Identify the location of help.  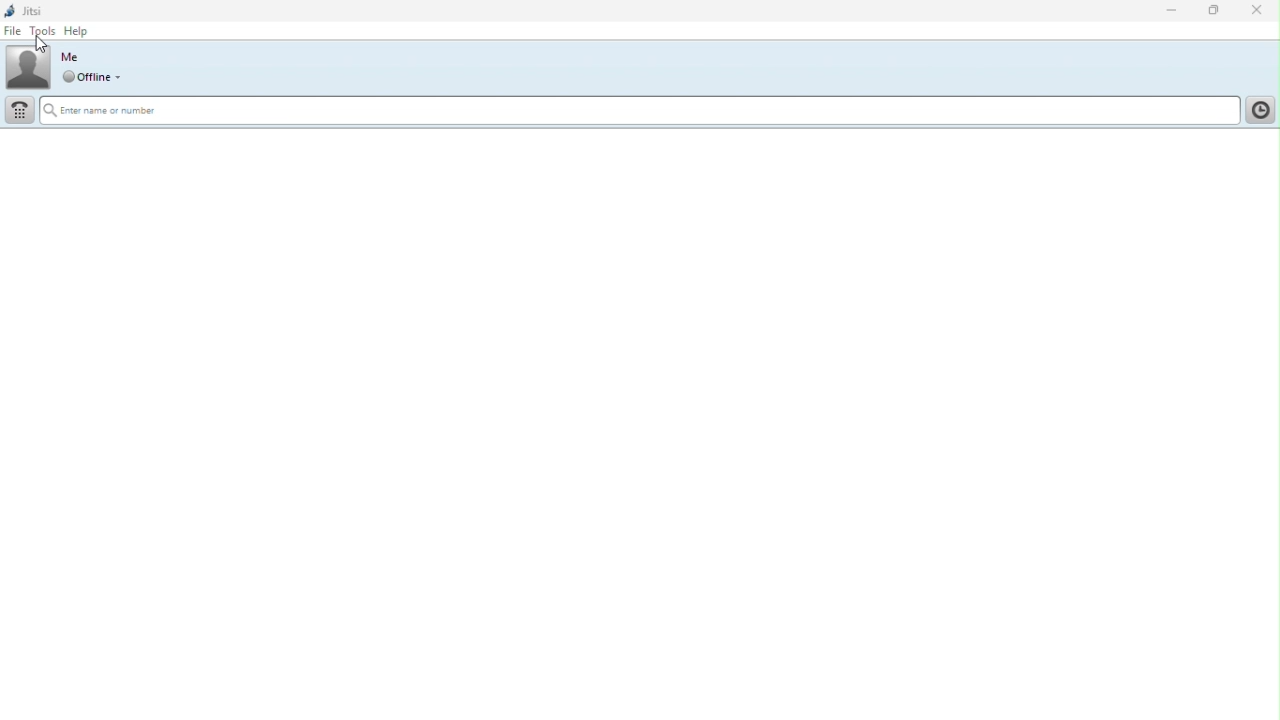
(80, 31).